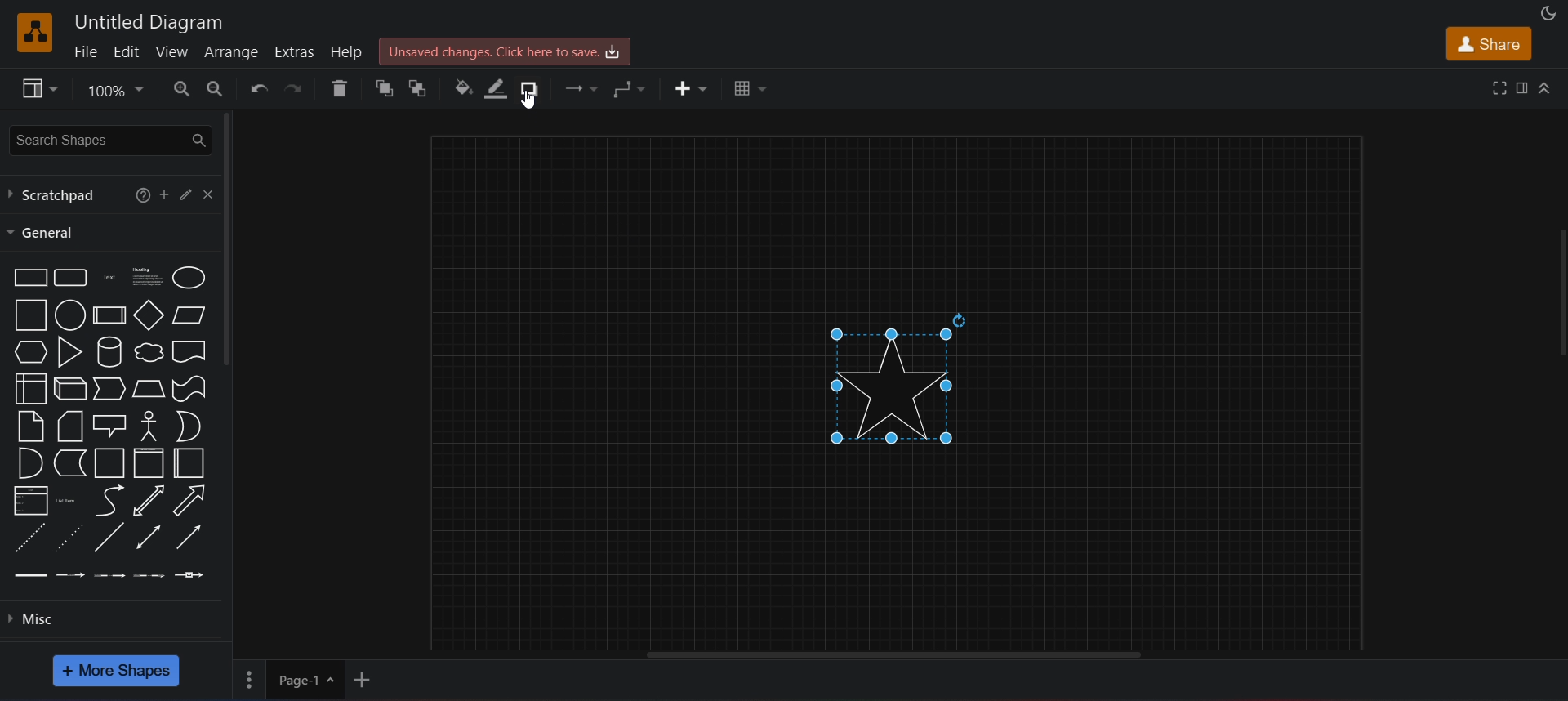 This screenshot has height=701, width=1568. I want to click on untitled diagram, so click(148, 21).